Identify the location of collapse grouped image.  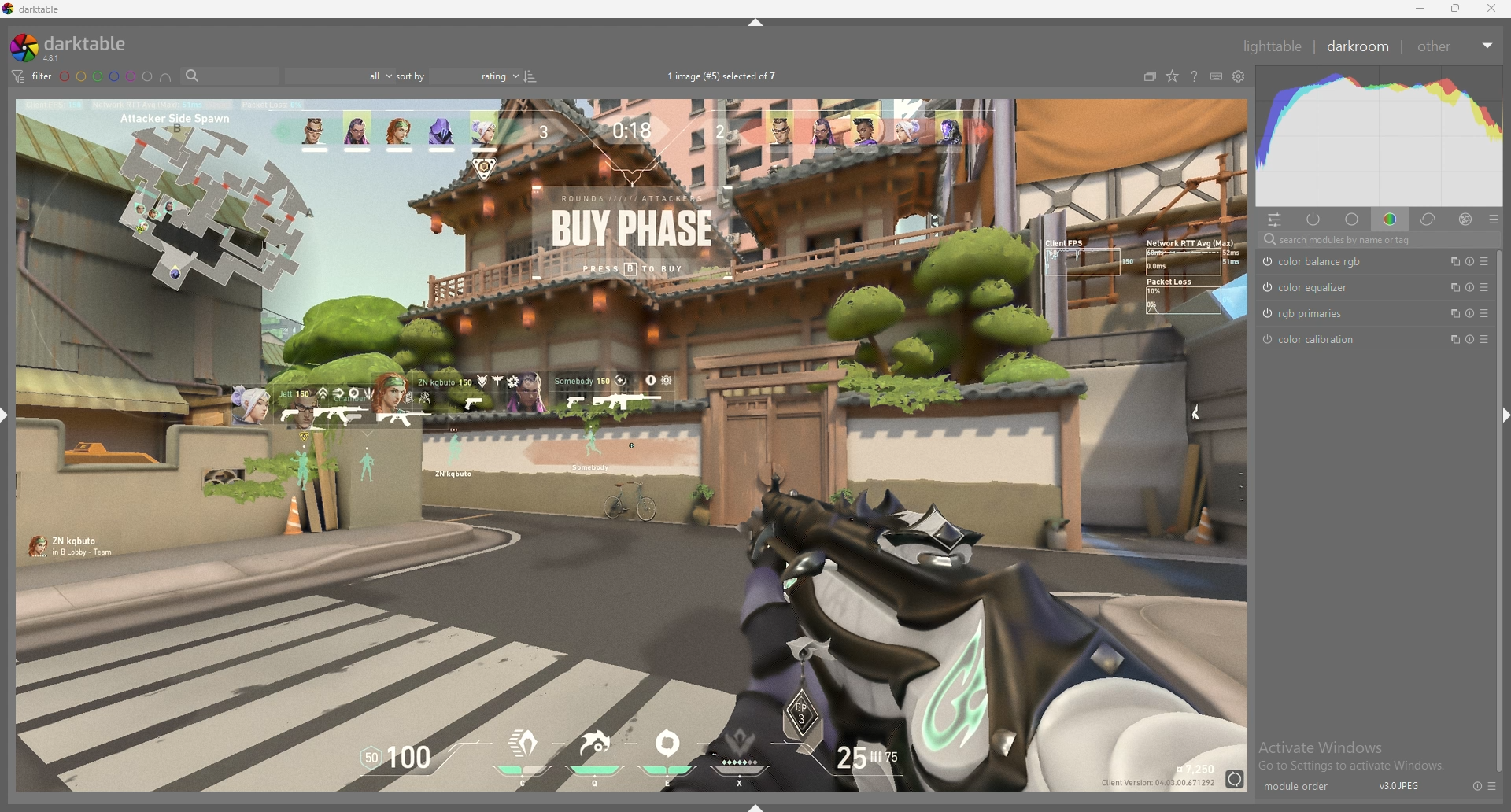
(1150, 76).